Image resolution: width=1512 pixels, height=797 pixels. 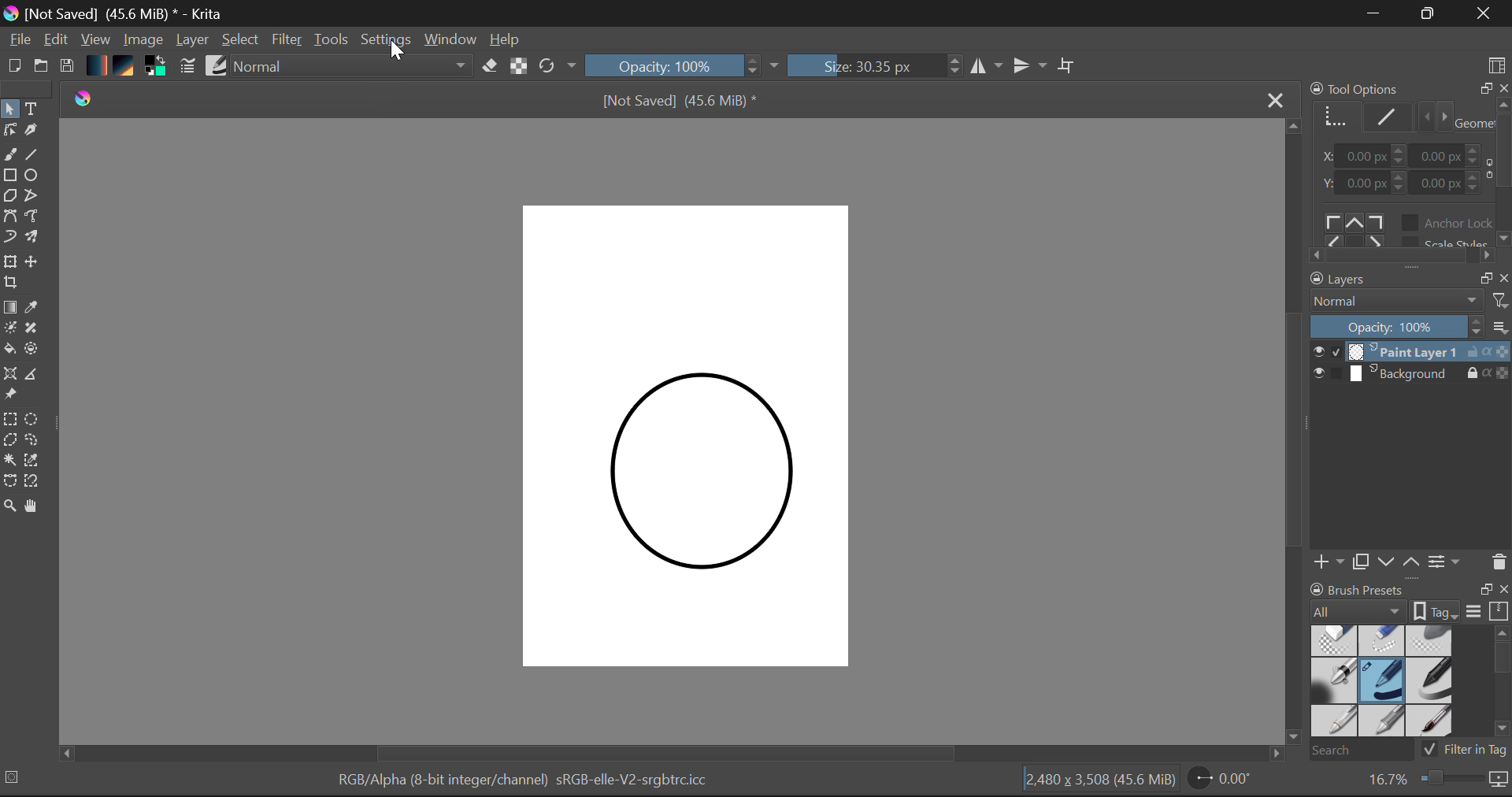 What do you see at coordinates (9, 155) in the screenshot?
I see `Freehand` at bounding box center [9, 155].